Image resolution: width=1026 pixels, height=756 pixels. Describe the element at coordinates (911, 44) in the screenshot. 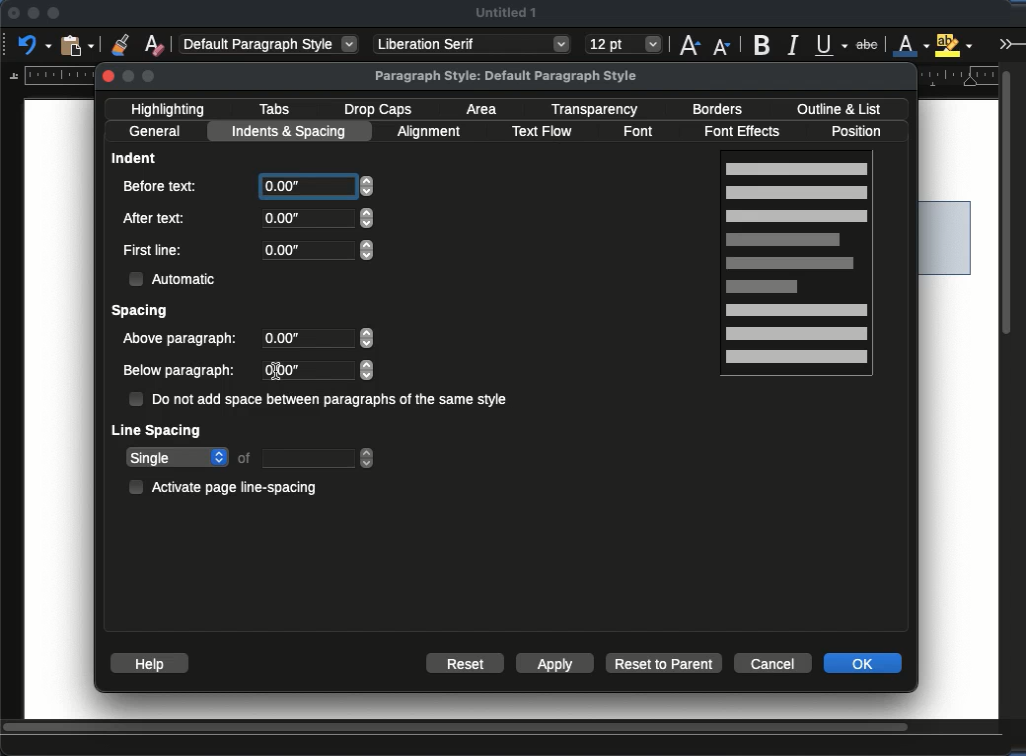

I see `line color` at that location.